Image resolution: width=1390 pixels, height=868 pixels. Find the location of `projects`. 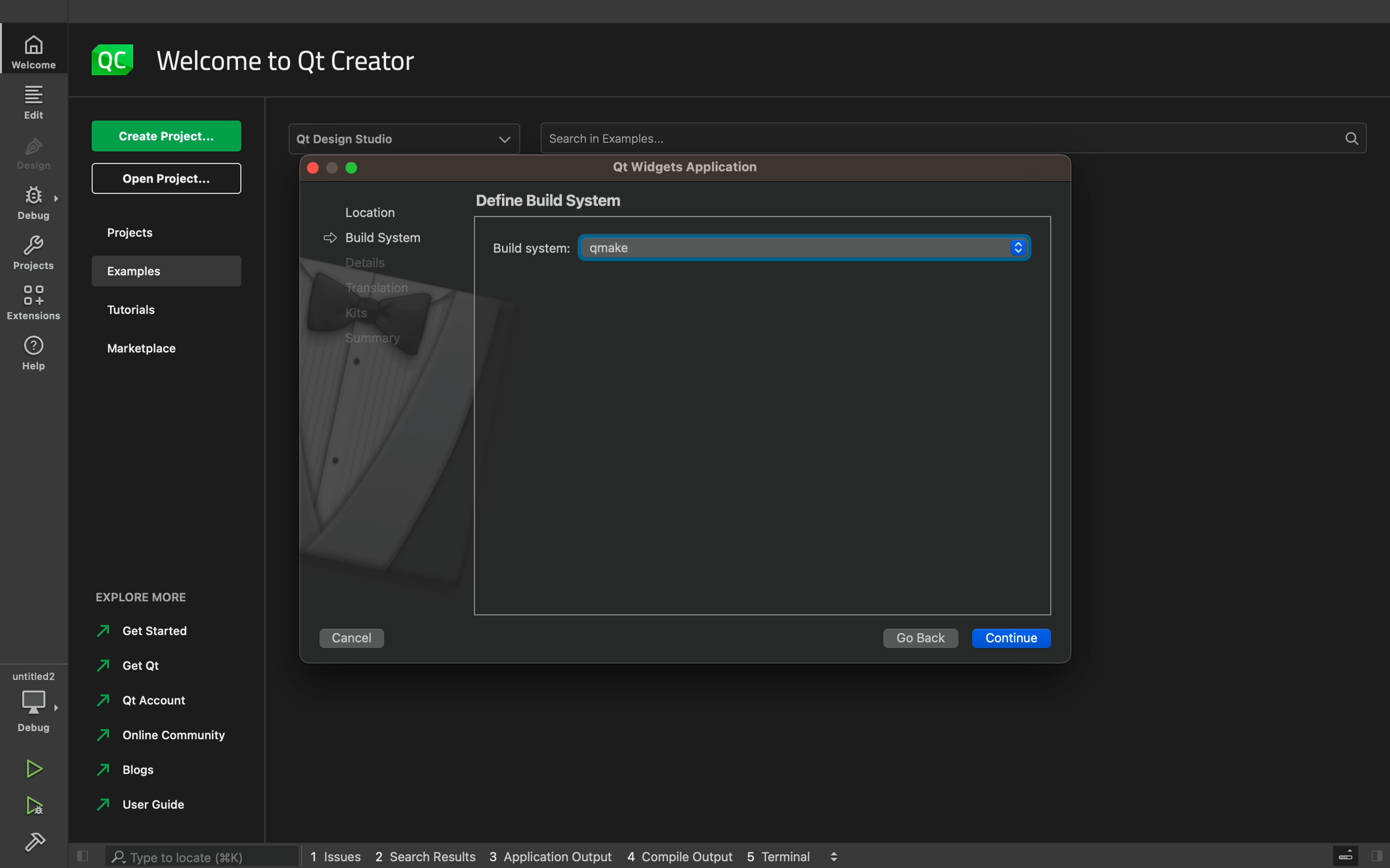

projects is located at coordinates (160, 232).